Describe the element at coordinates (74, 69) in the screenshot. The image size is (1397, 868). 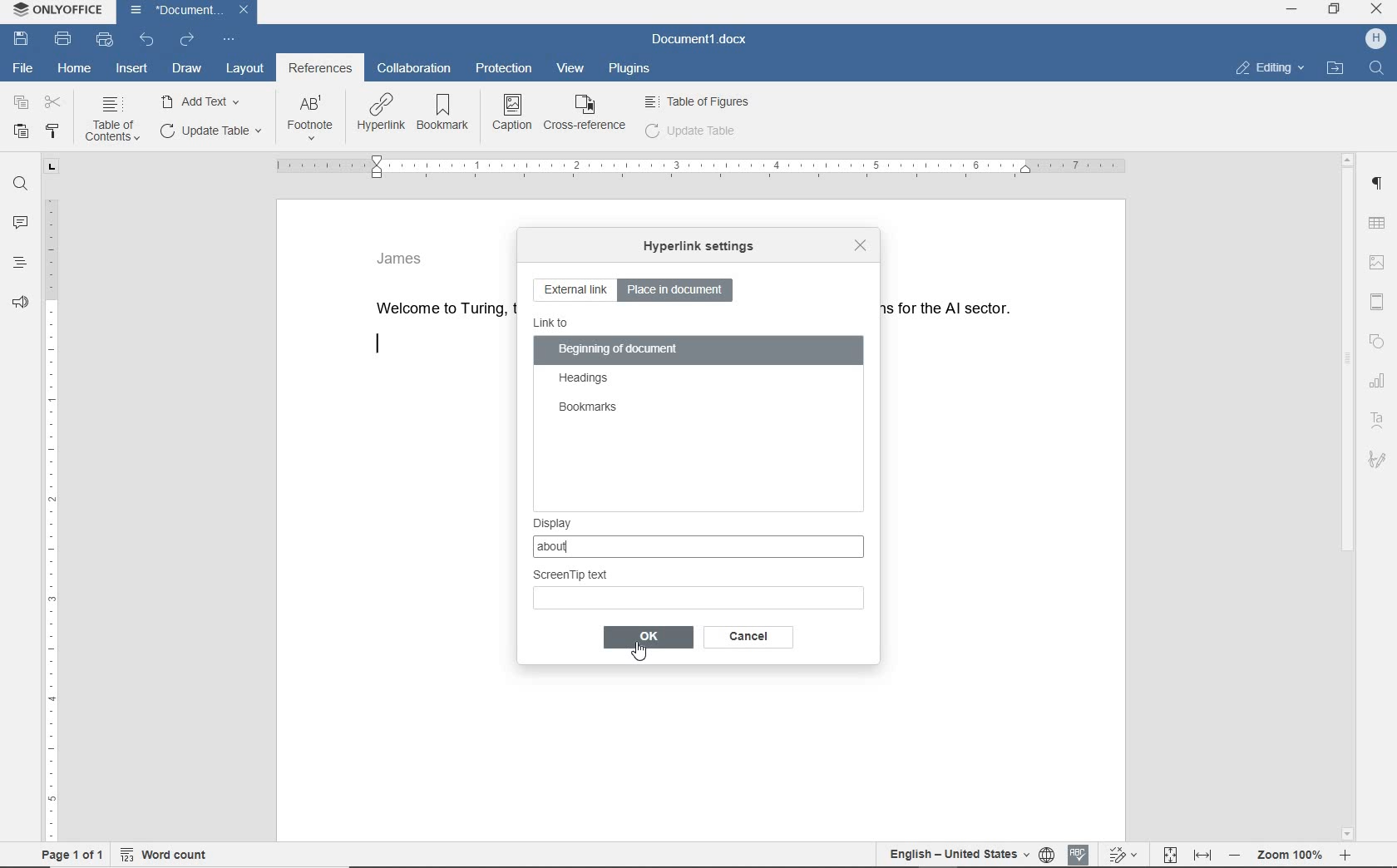
I see `home` at that location.